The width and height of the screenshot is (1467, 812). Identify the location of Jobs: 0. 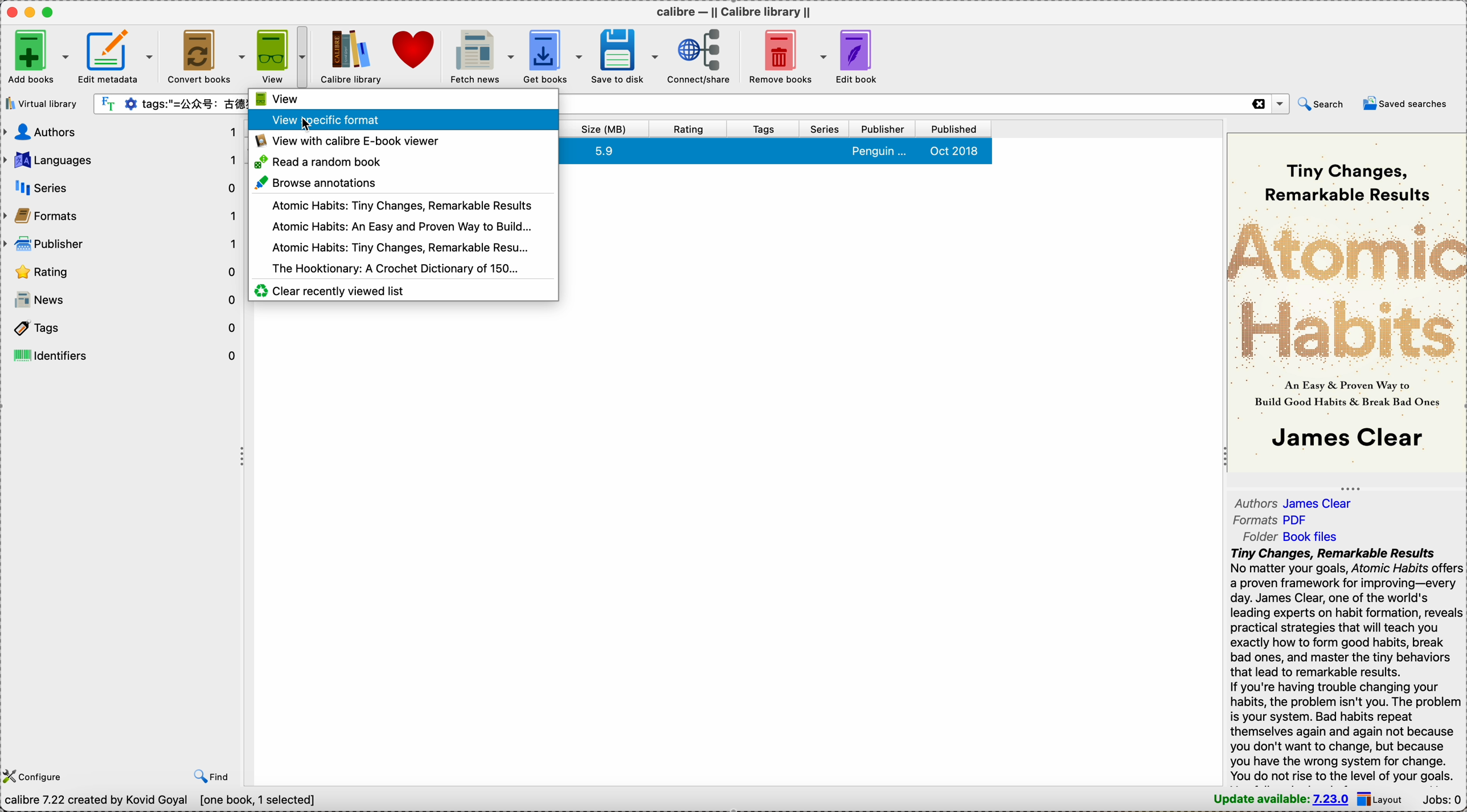
(1441, 799).